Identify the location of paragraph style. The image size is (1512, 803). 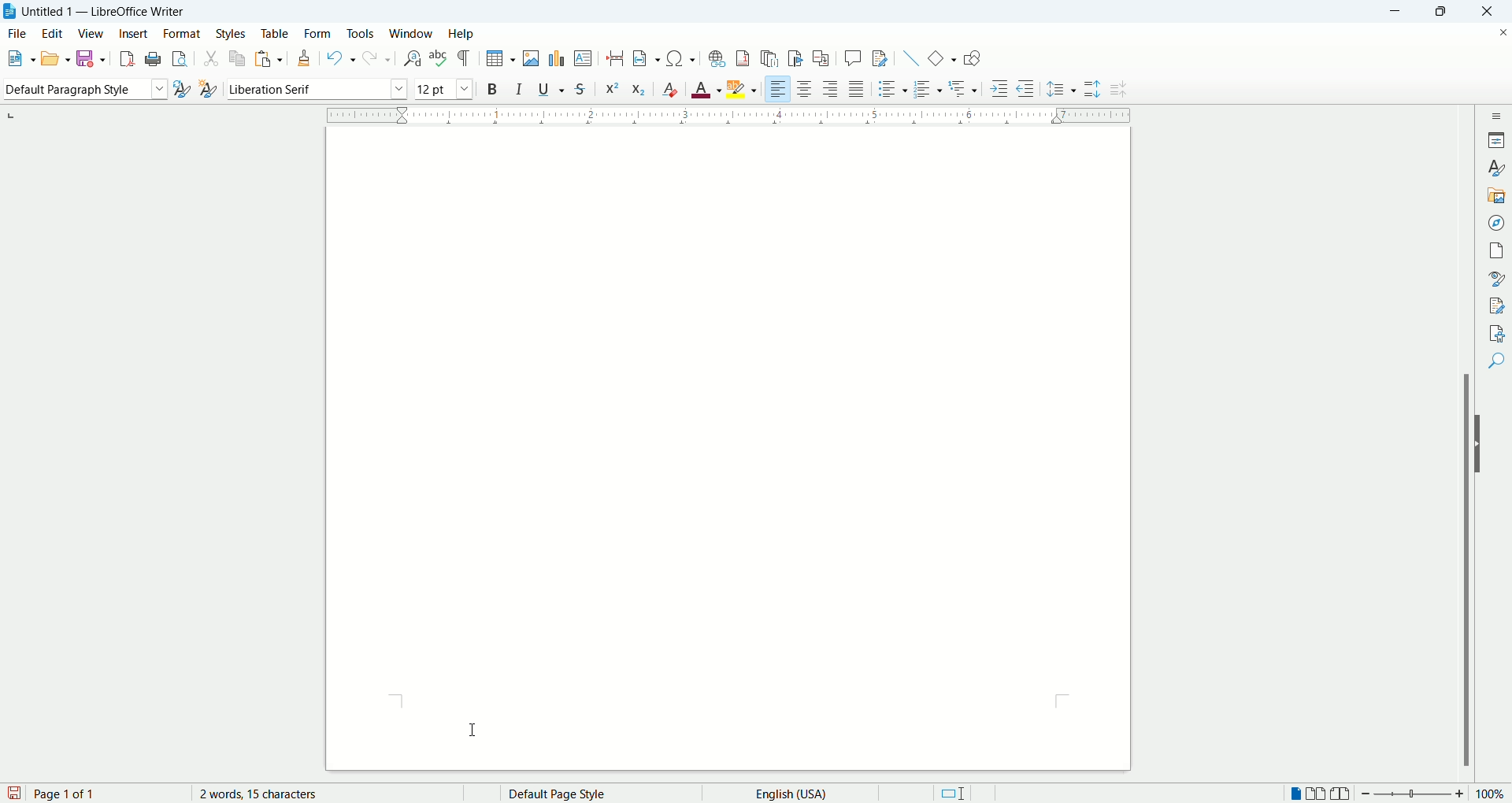
(82, 89).